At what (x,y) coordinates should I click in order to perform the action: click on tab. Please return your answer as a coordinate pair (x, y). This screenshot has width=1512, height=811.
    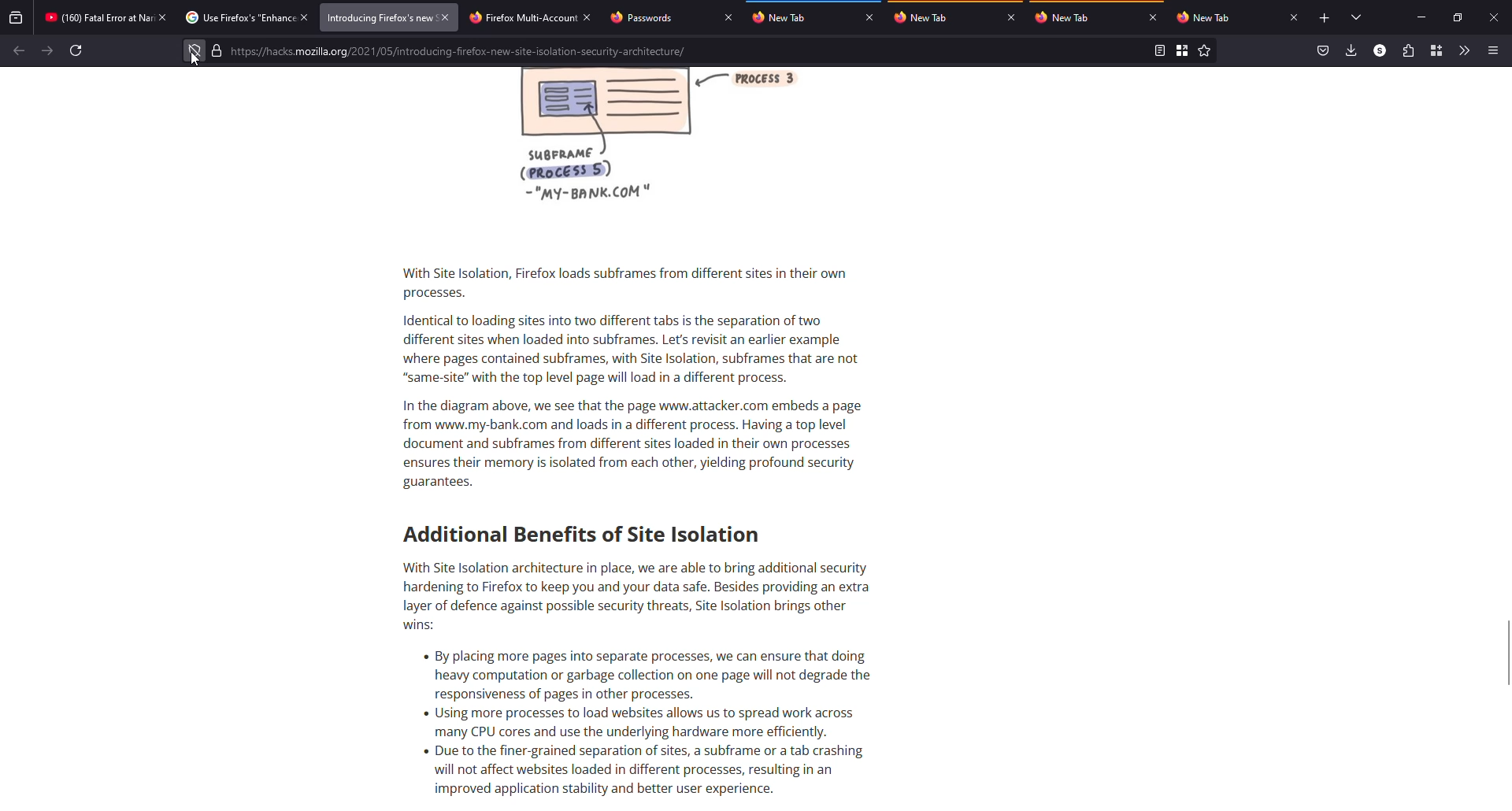
    Looking at the image, I should click on (1068, 17).